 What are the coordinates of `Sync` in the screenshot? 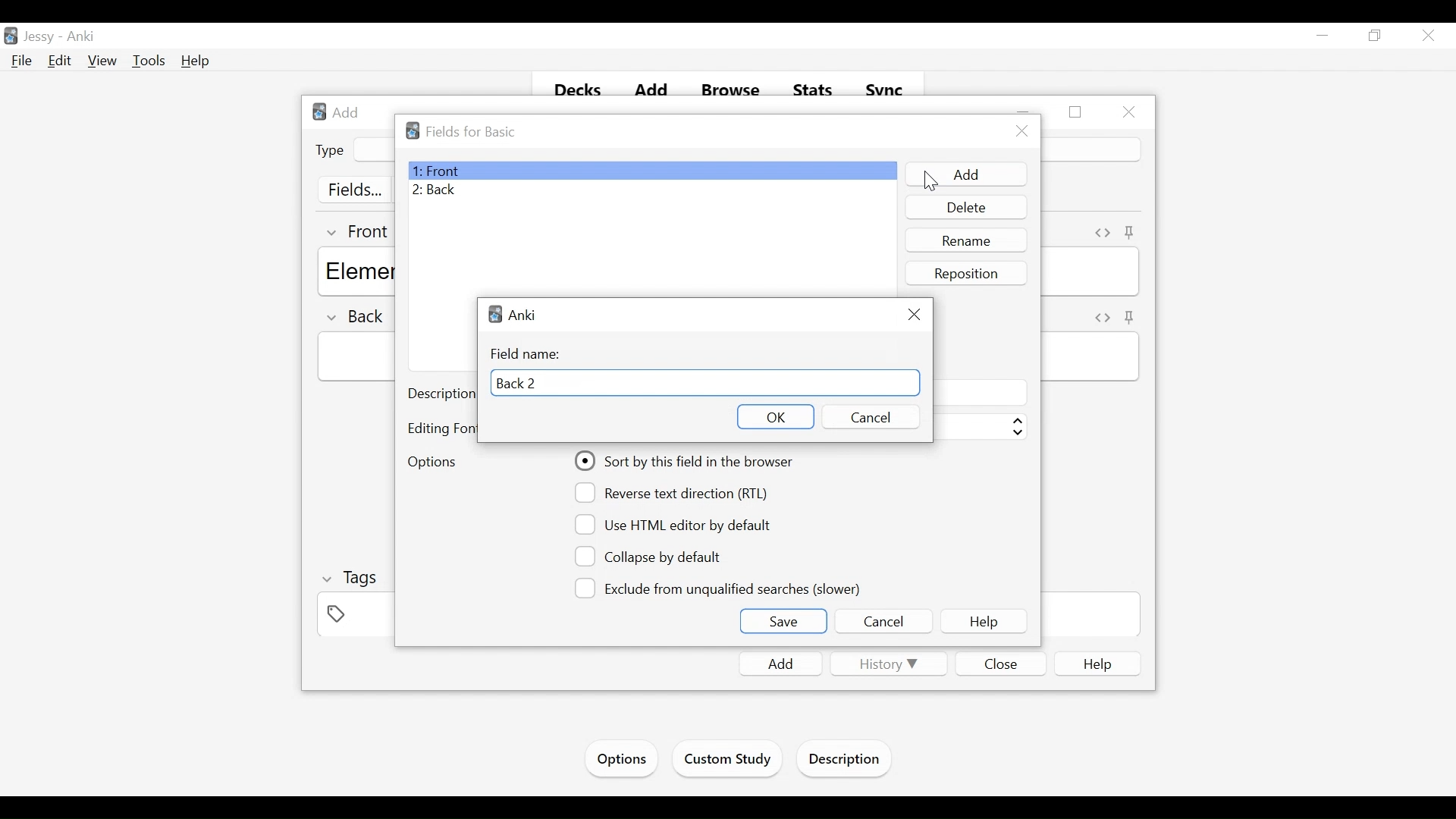 It's located at (885, 90).